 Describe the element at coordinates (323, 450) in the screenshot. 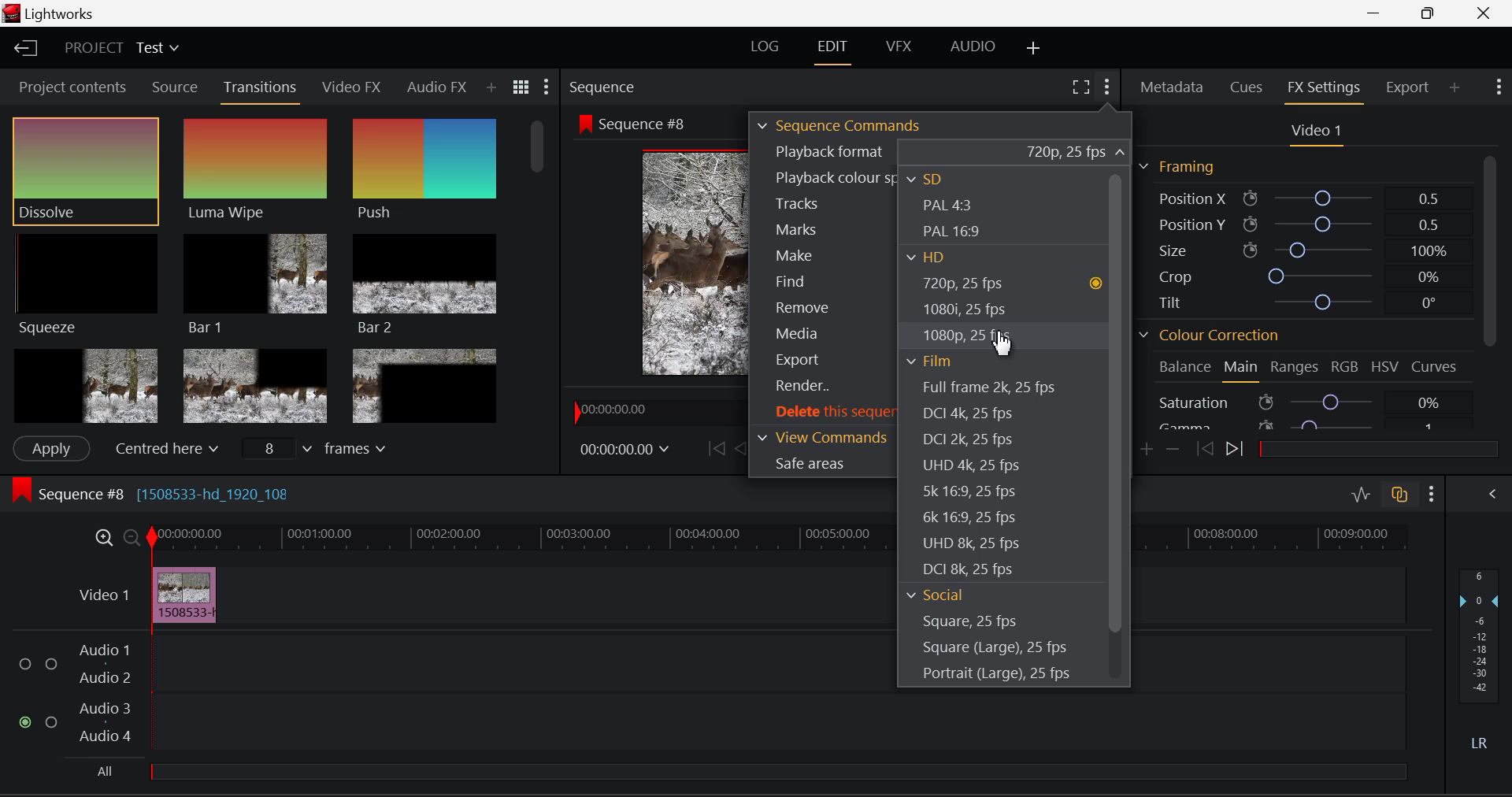

I see `frames input` at that location.